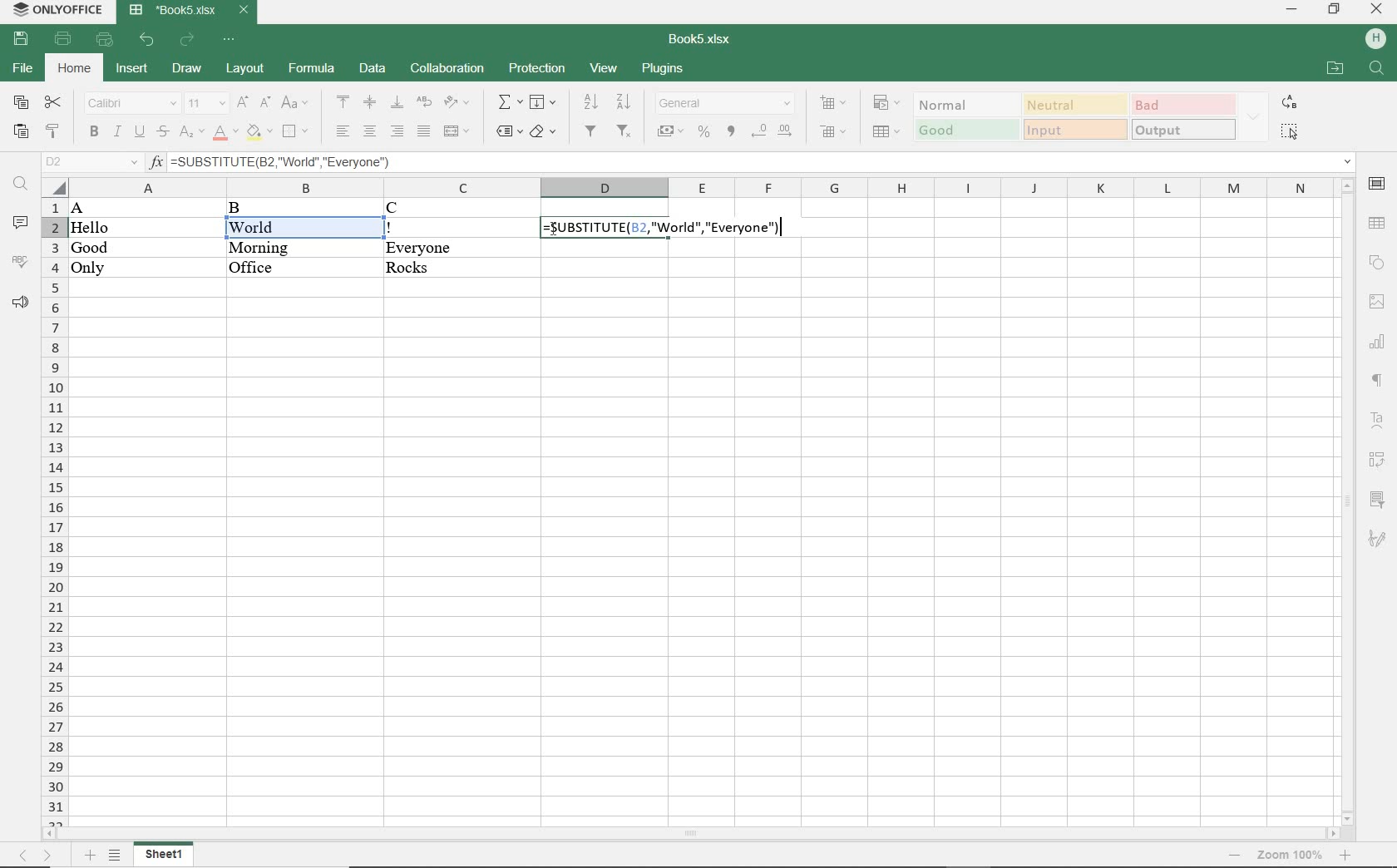 Image resolution: width=1397 pixels, height=868 pixels. Describe the element at coordinates (91, 229) in the screenshot. I see `Hello` at that location.